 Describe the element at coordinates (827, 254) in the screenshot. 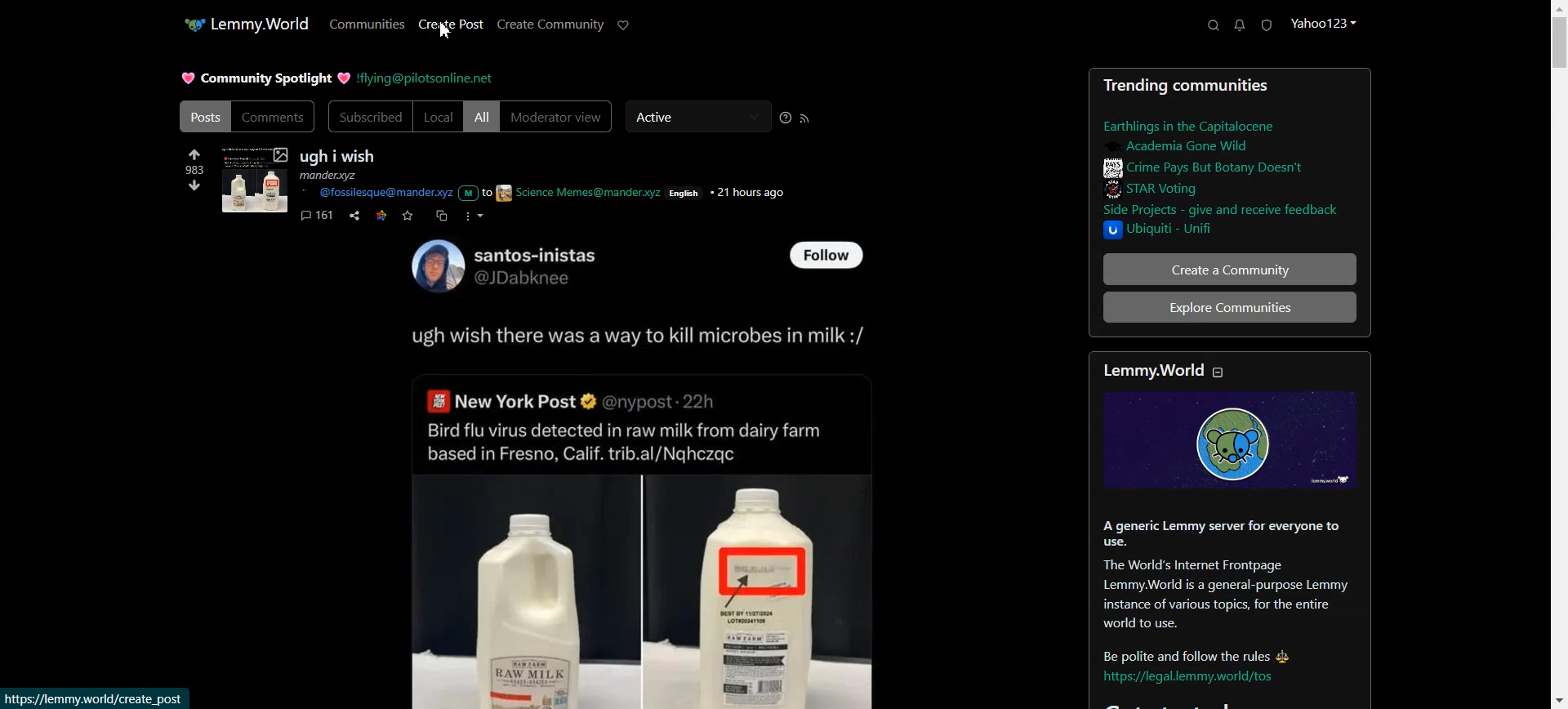

I see `Follow` at that location.